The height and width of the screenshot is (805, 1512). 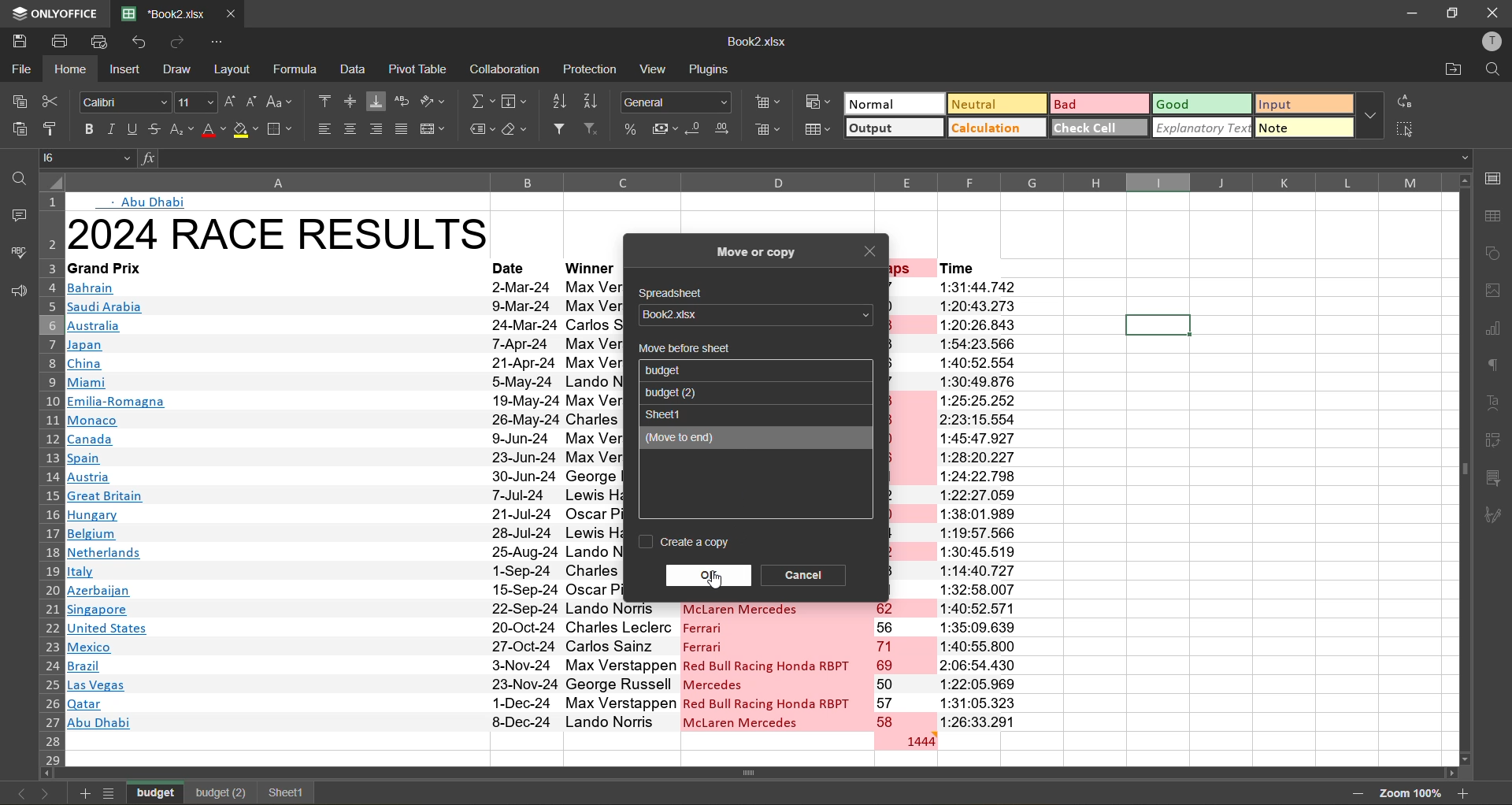 What do you see at coordinates (156, 129) in the screenshot?
I see `strikethrough` at bounding box center [156, 129].